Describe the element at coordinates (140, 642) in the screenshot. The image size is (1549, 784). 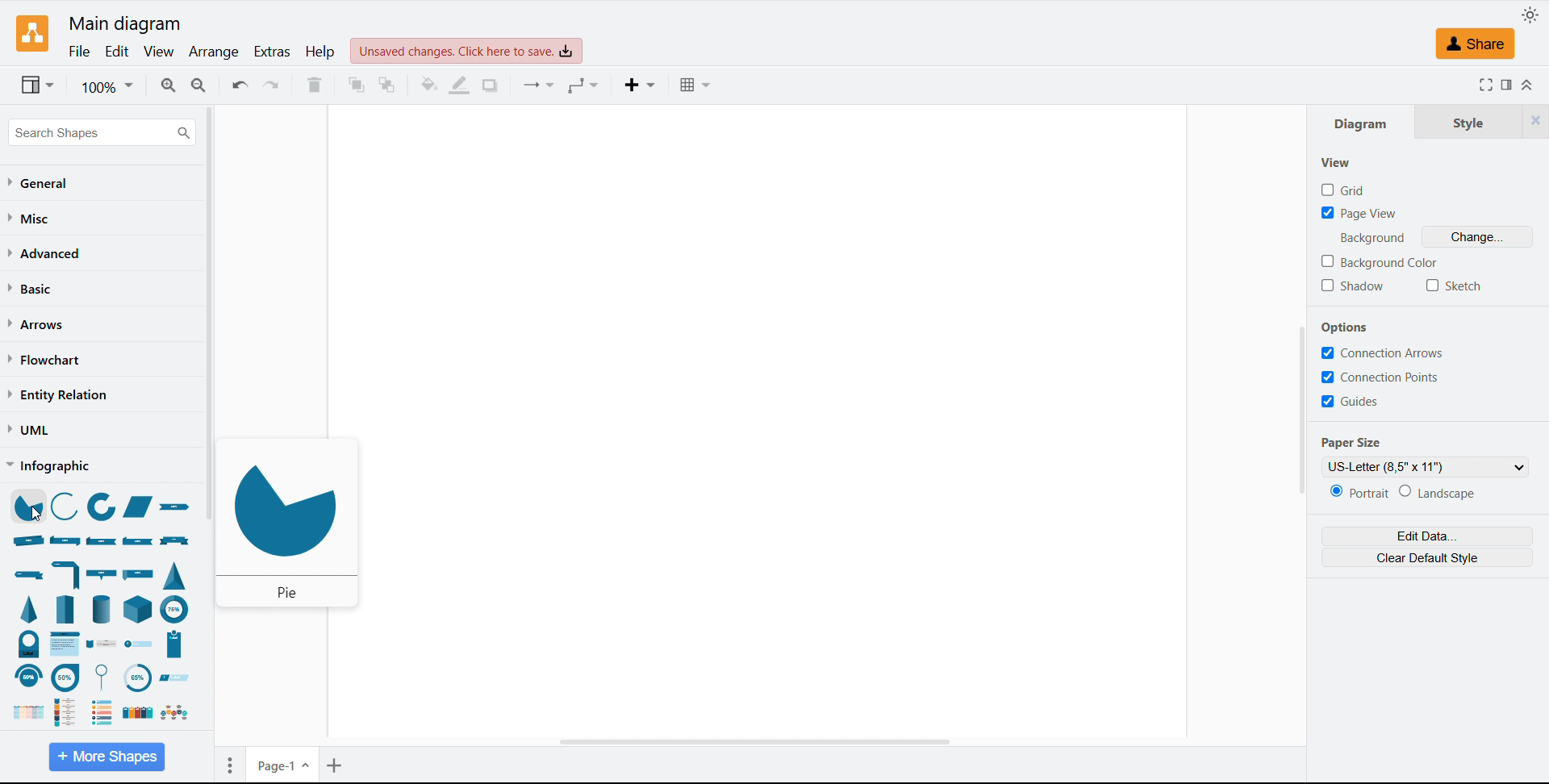
I see `numbered entry` at that location.